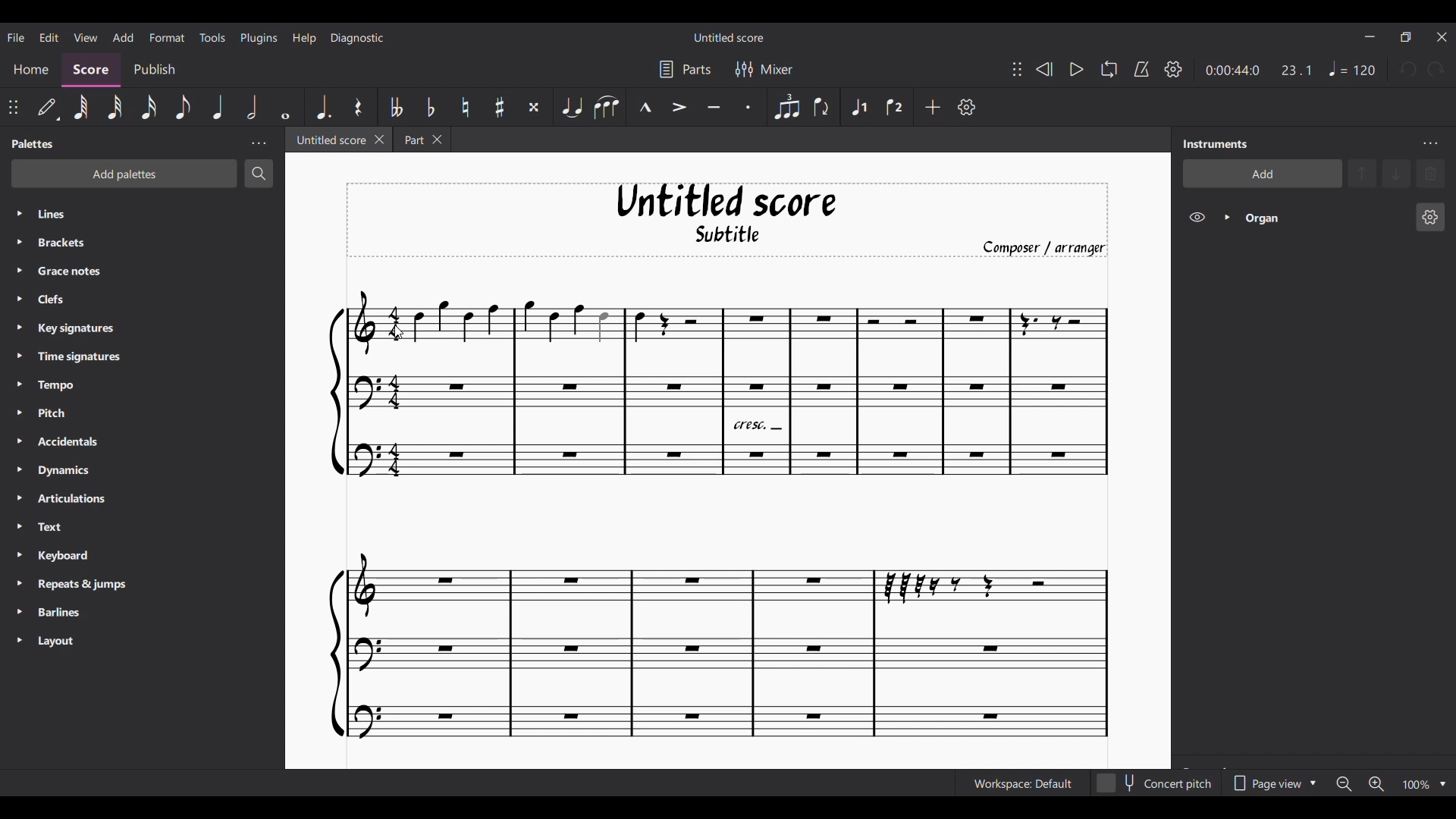 This screenshot has height=819, width=1456. What do you see at coordinates (157, 427) in the screenshot?
I see `Palette list` at bounding box center [157, 427].